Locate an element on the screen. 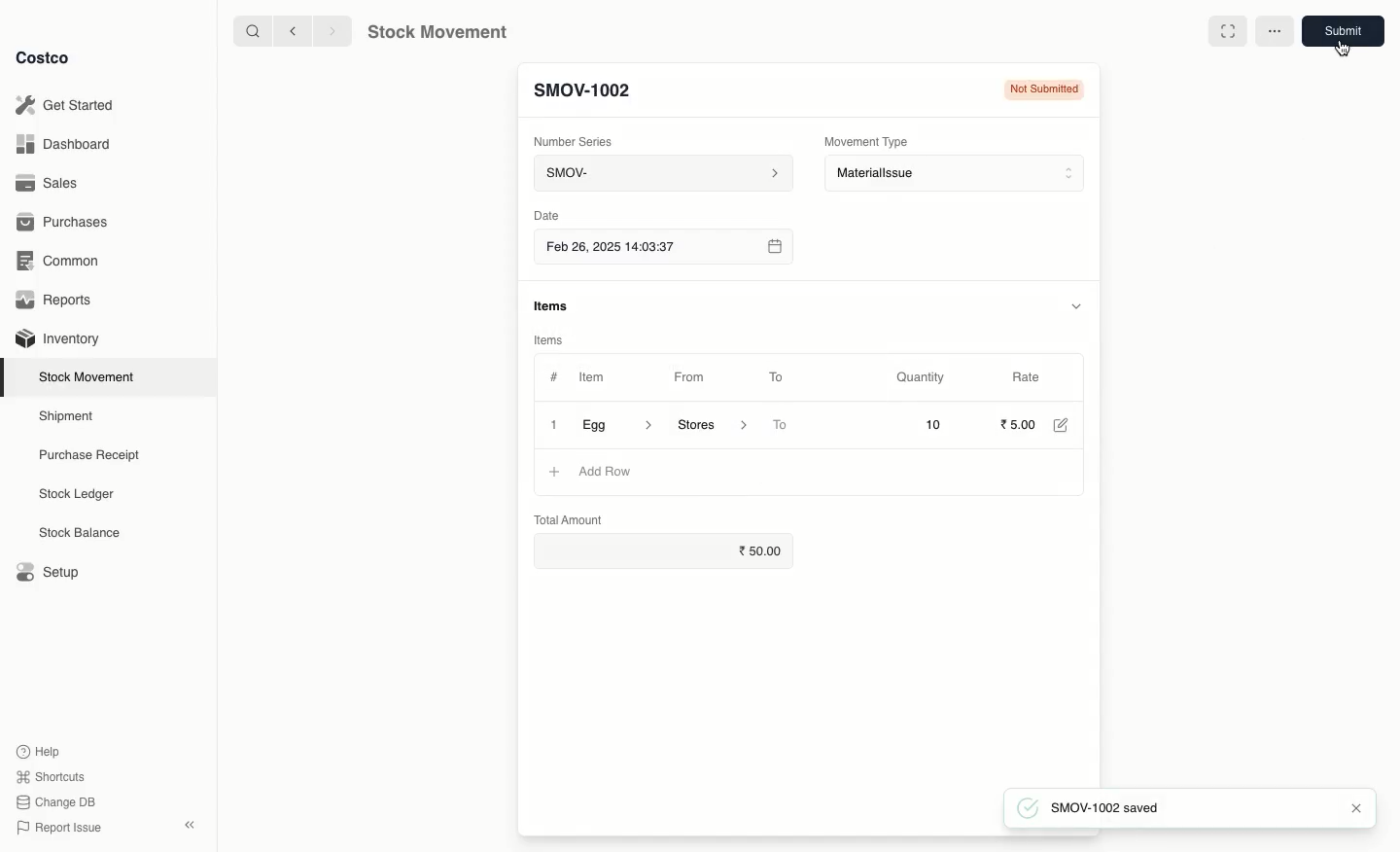  To is located at coordinates (777, 376).